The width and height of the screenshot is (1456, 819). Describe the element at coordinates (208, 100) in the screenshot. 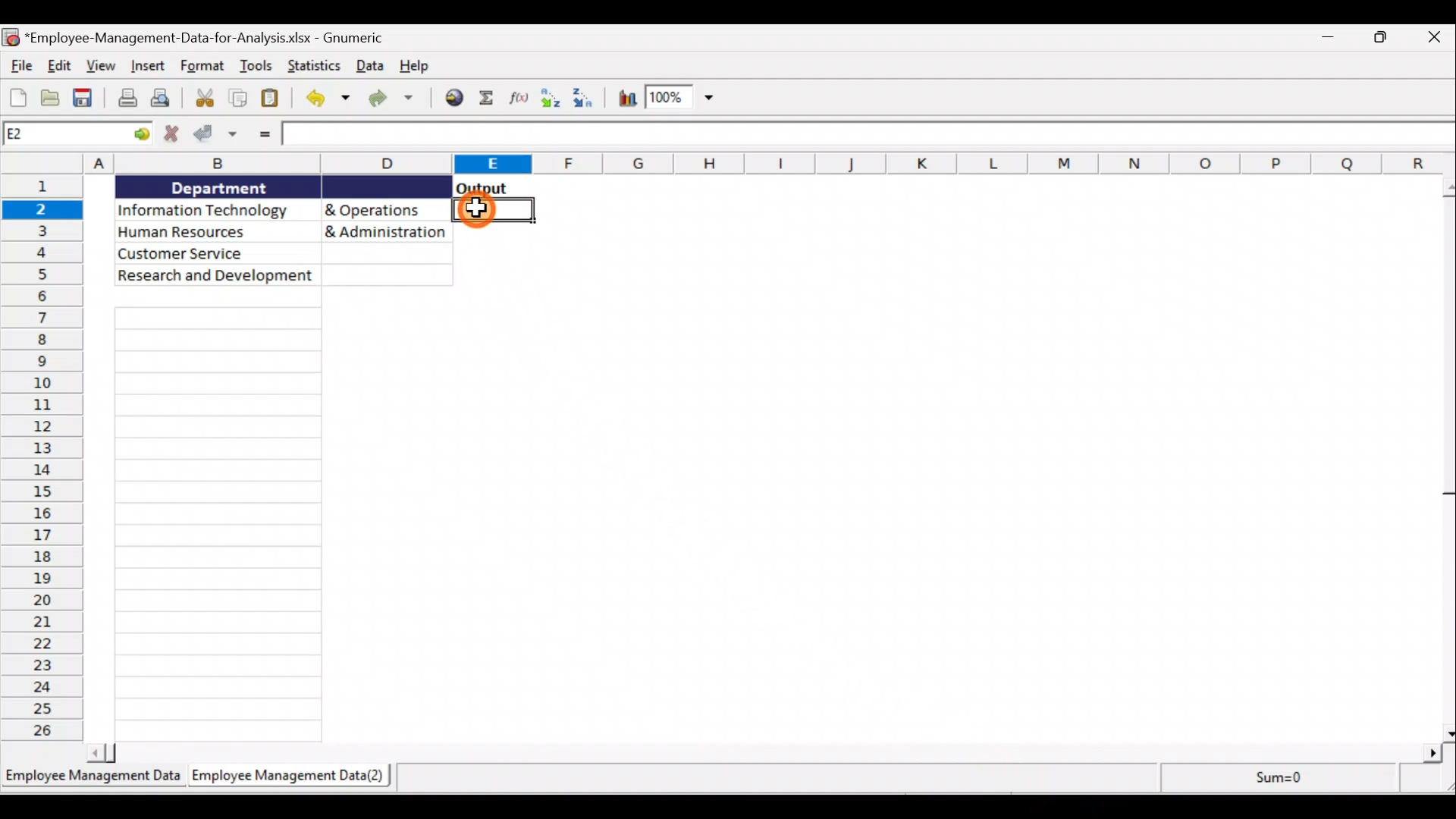

I see `Cut the selection` at that location.